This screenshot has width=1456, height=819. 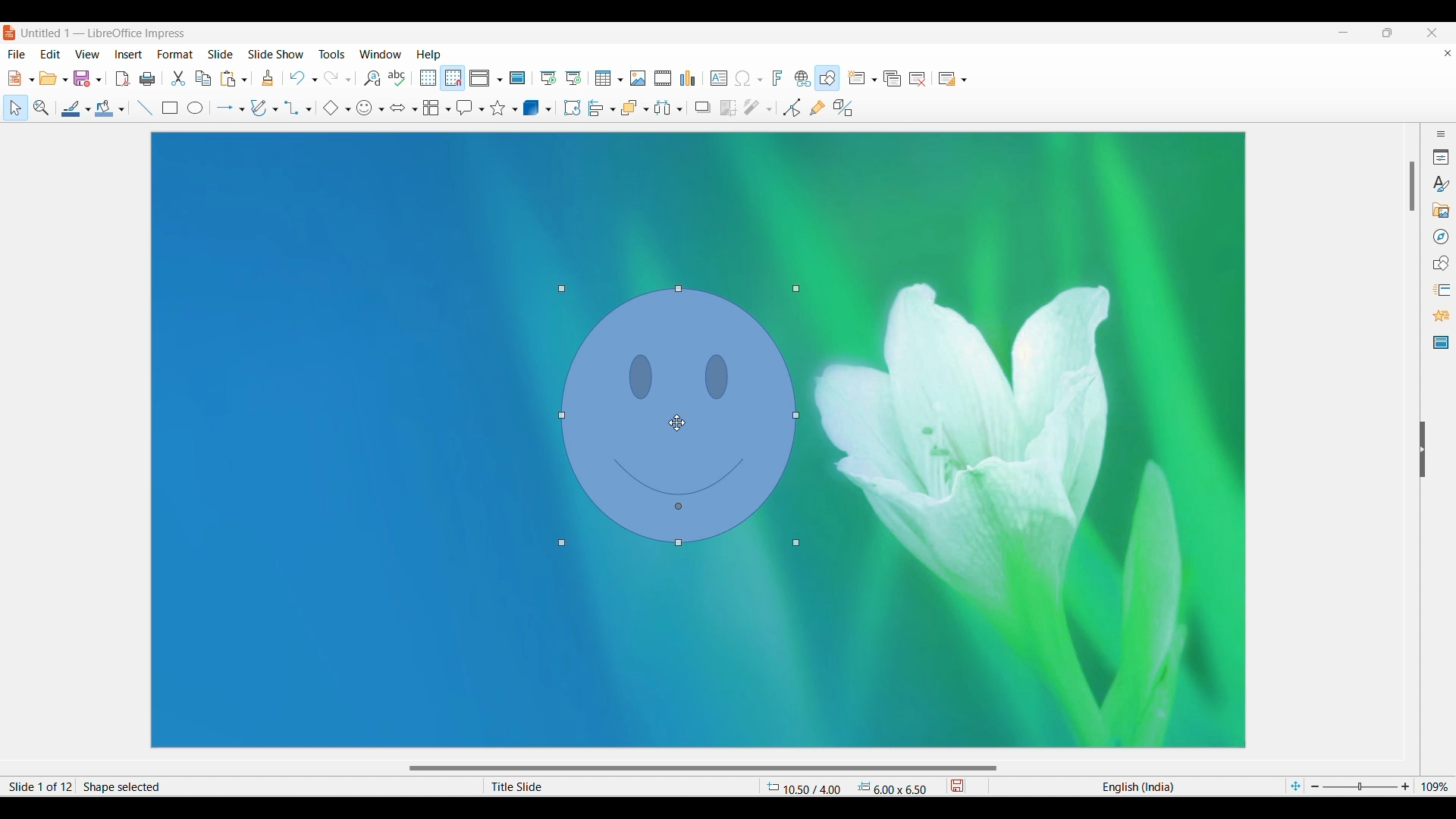 What do you see at coordinates (751, 108) in the screenshot?
I see `Chosen filter` at bounding box center [751, 108].